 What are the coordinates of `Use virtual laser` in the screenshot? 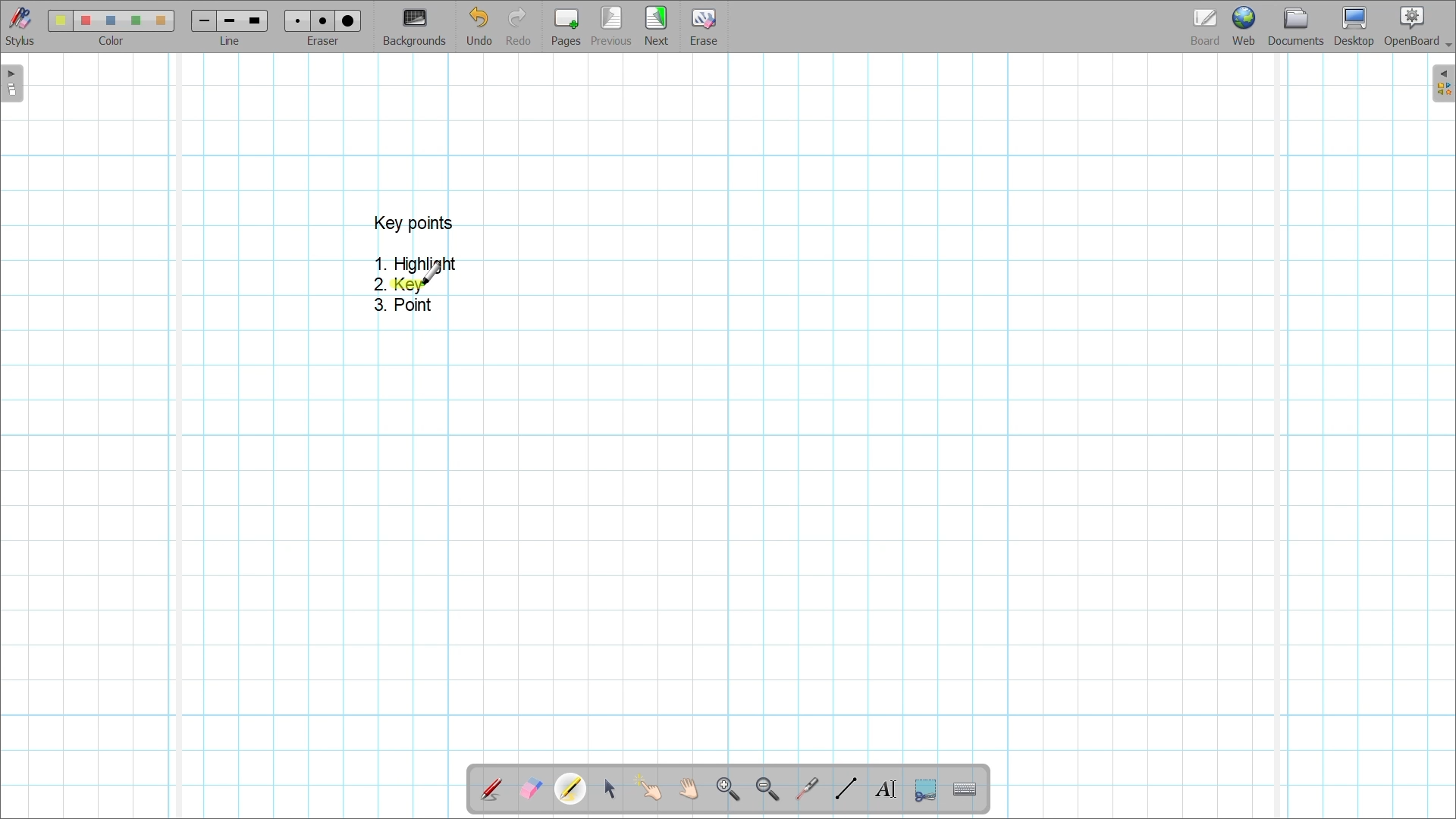 It's located at (806, 789).